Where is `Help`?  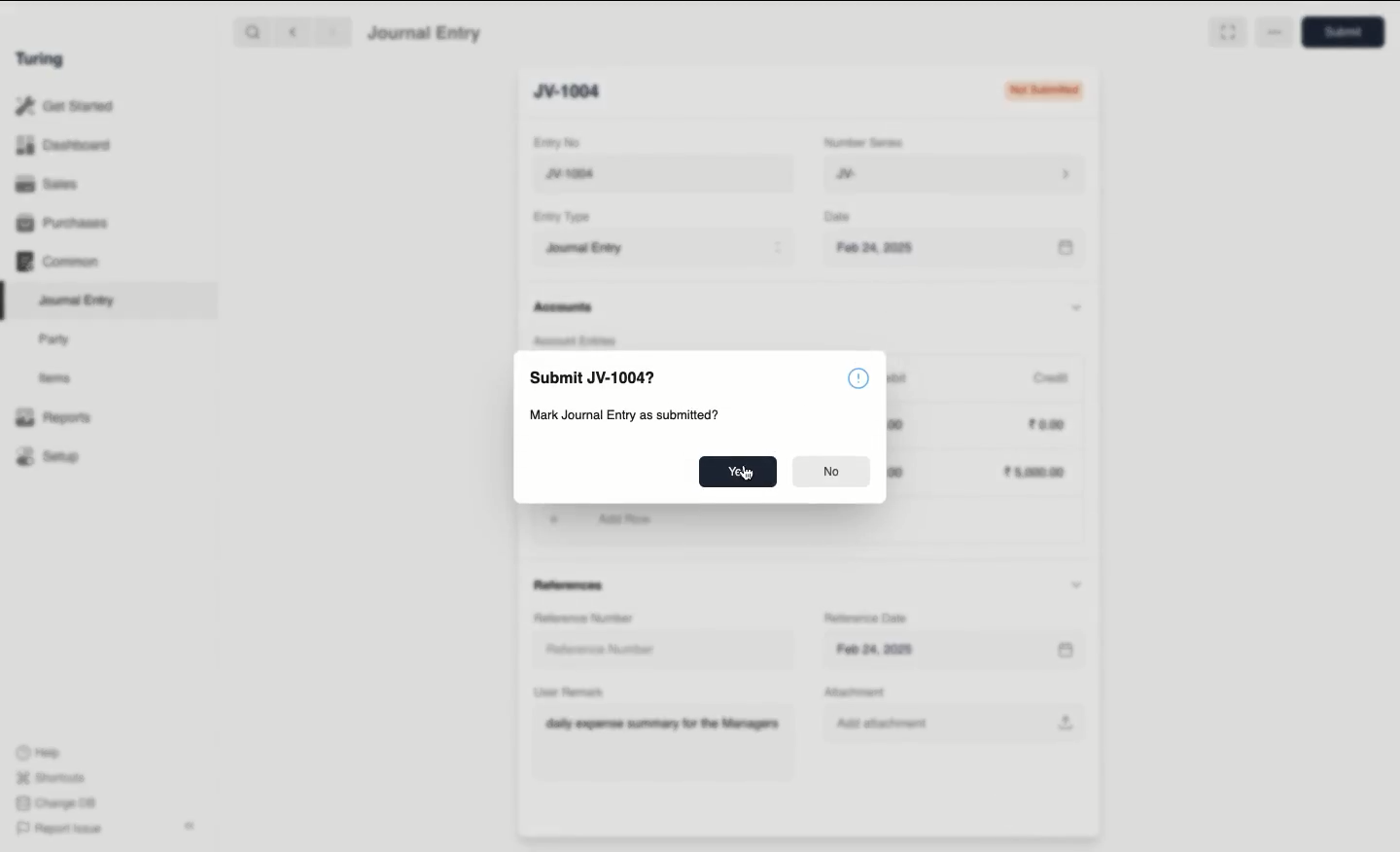 Help is located at coordinates (39, 753).